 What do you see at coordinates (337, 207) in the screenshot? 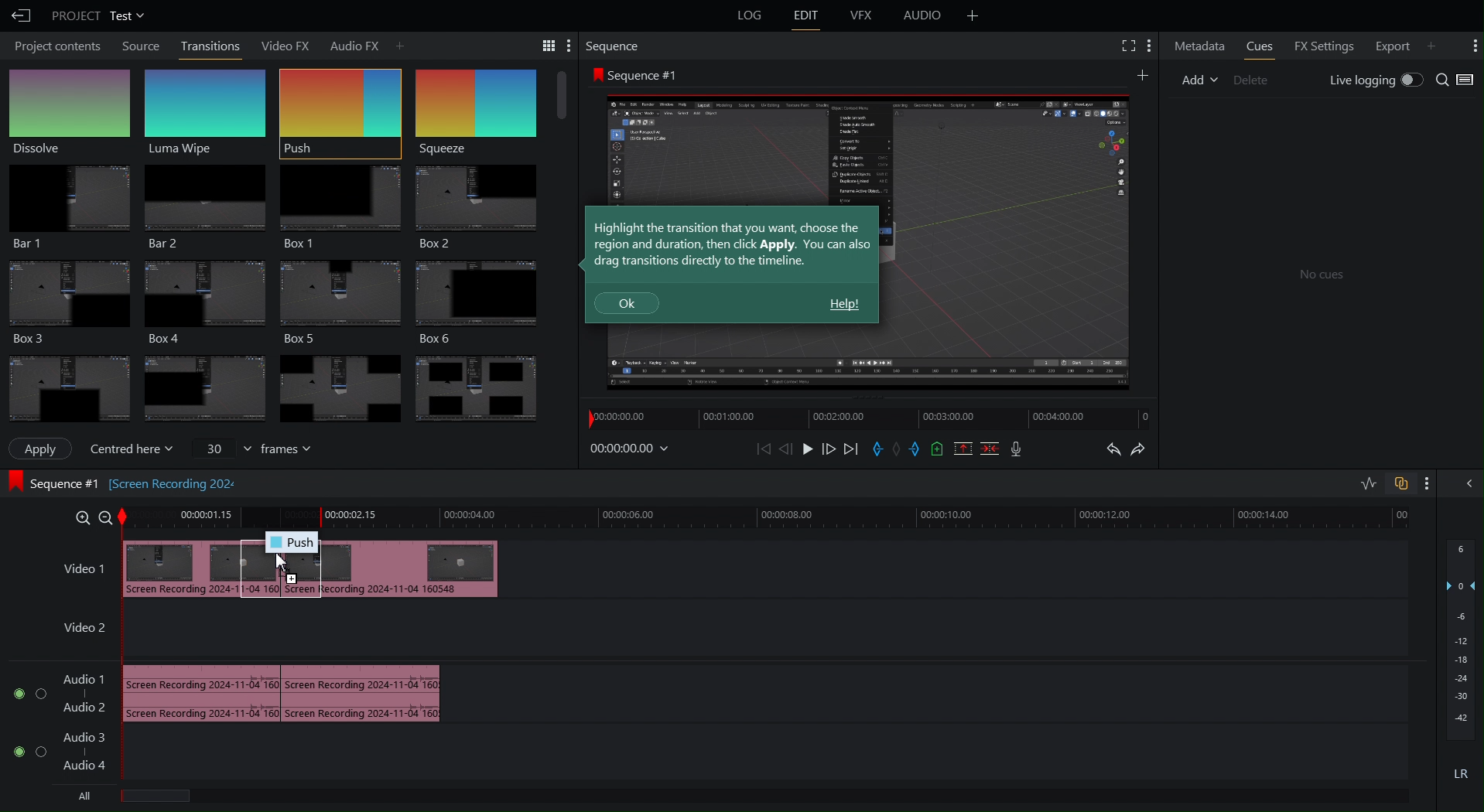
I see `Box 1` at bounding box center [337, 207].